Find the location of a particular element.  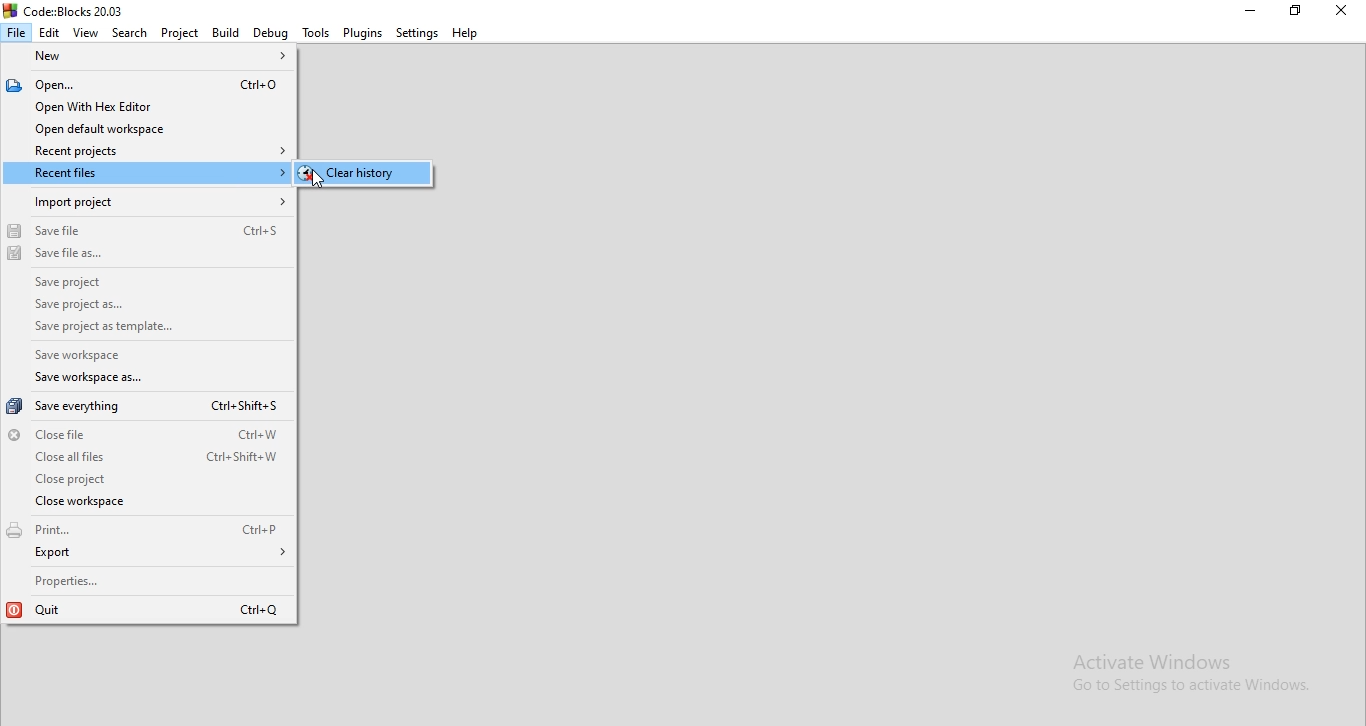

Quit is located at coordinates (149, 609).